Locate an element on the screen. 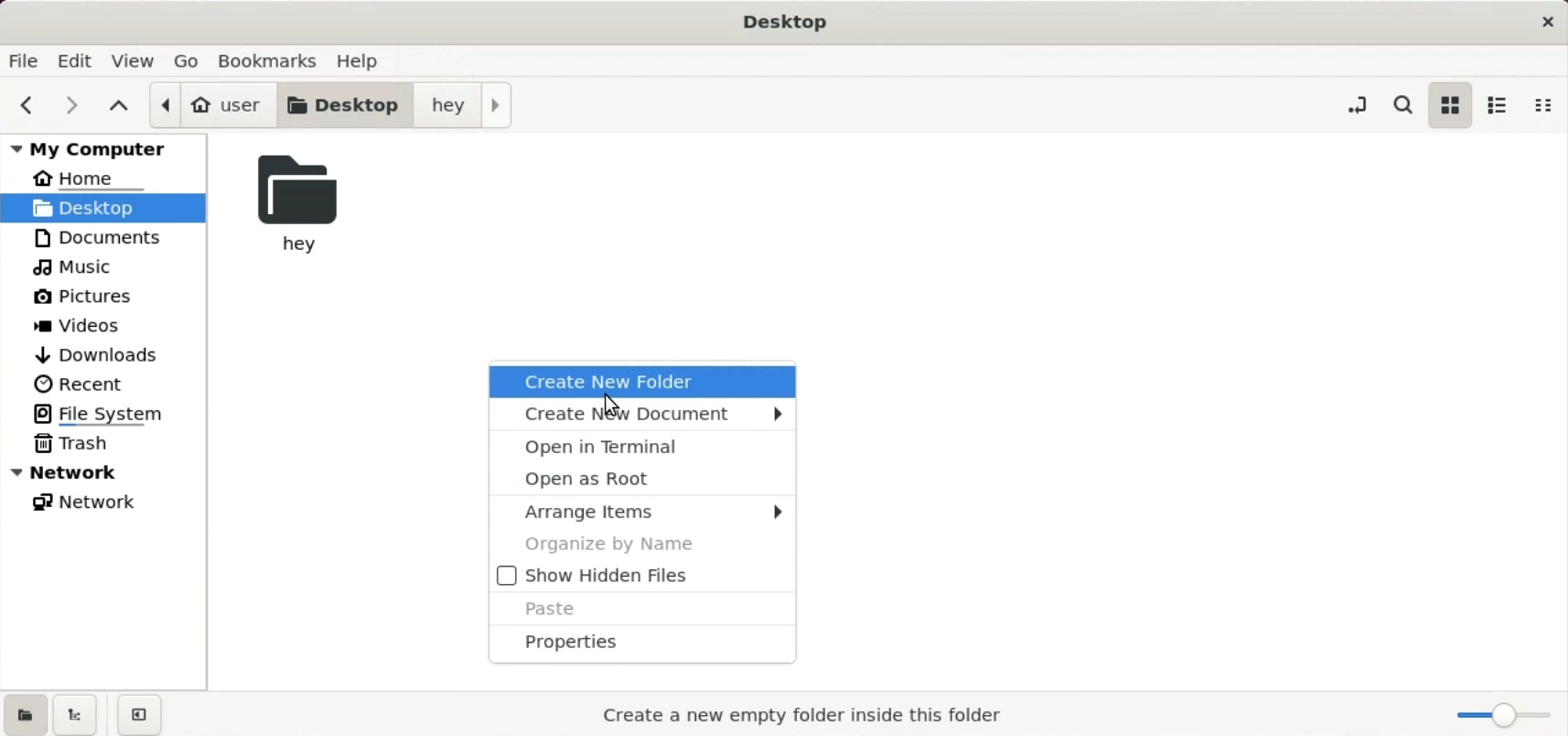  parent folder is located at coordinates (120, 103).